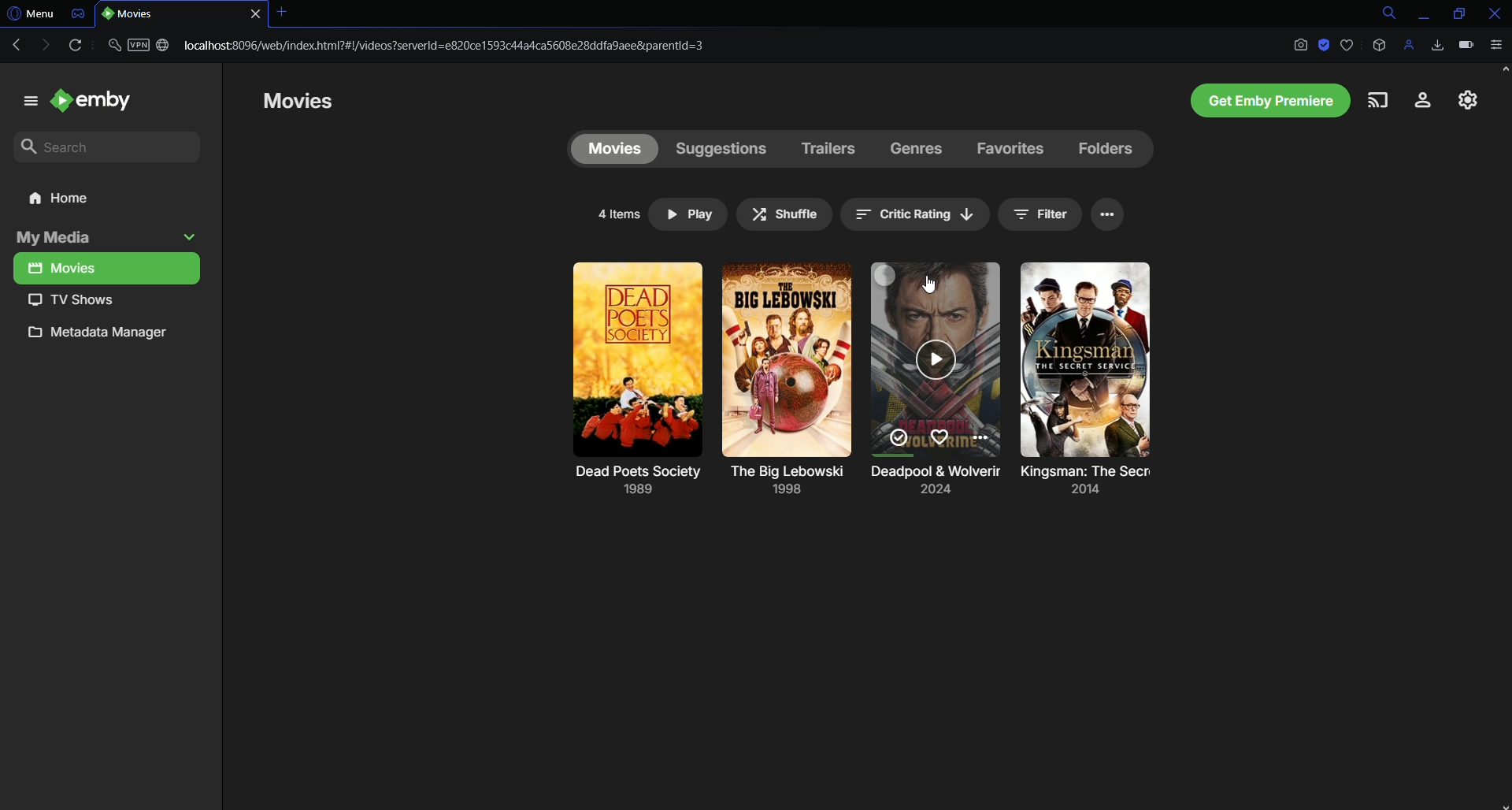 The height and width of the screenshot is (810, 1512). I want to click on TV Shows, so click(106, 299).